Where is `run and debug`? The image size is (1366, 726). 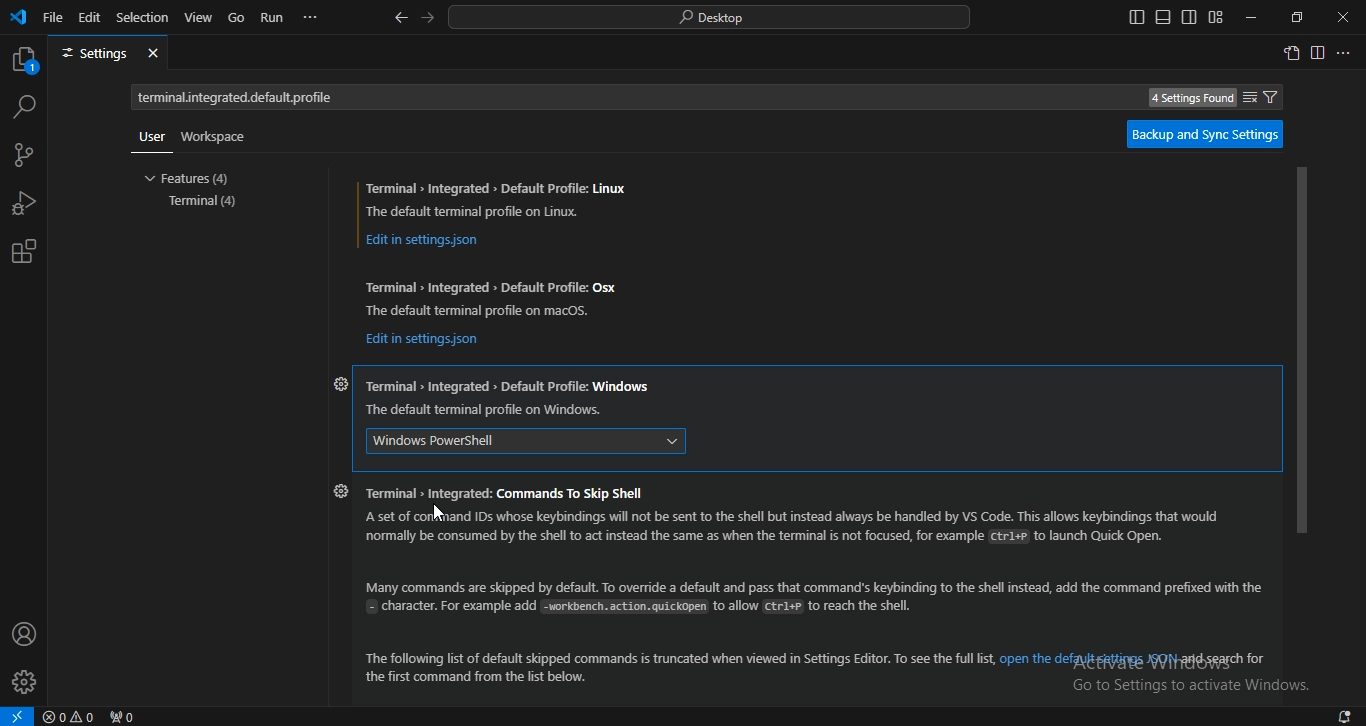
run and debug is located at coordinates (23, 205).